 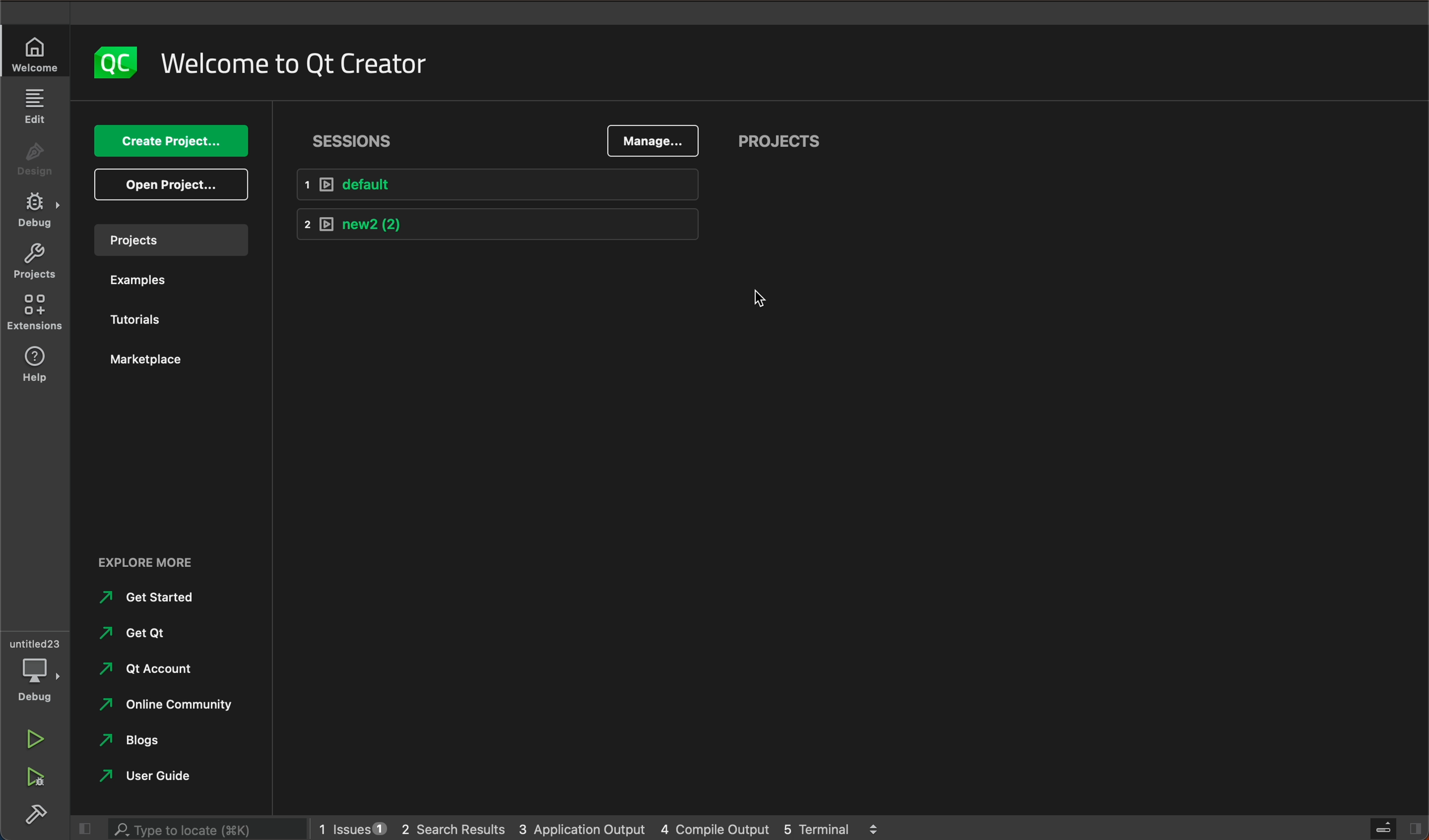 I want to click on Get qt, so click(x=142, y=633).